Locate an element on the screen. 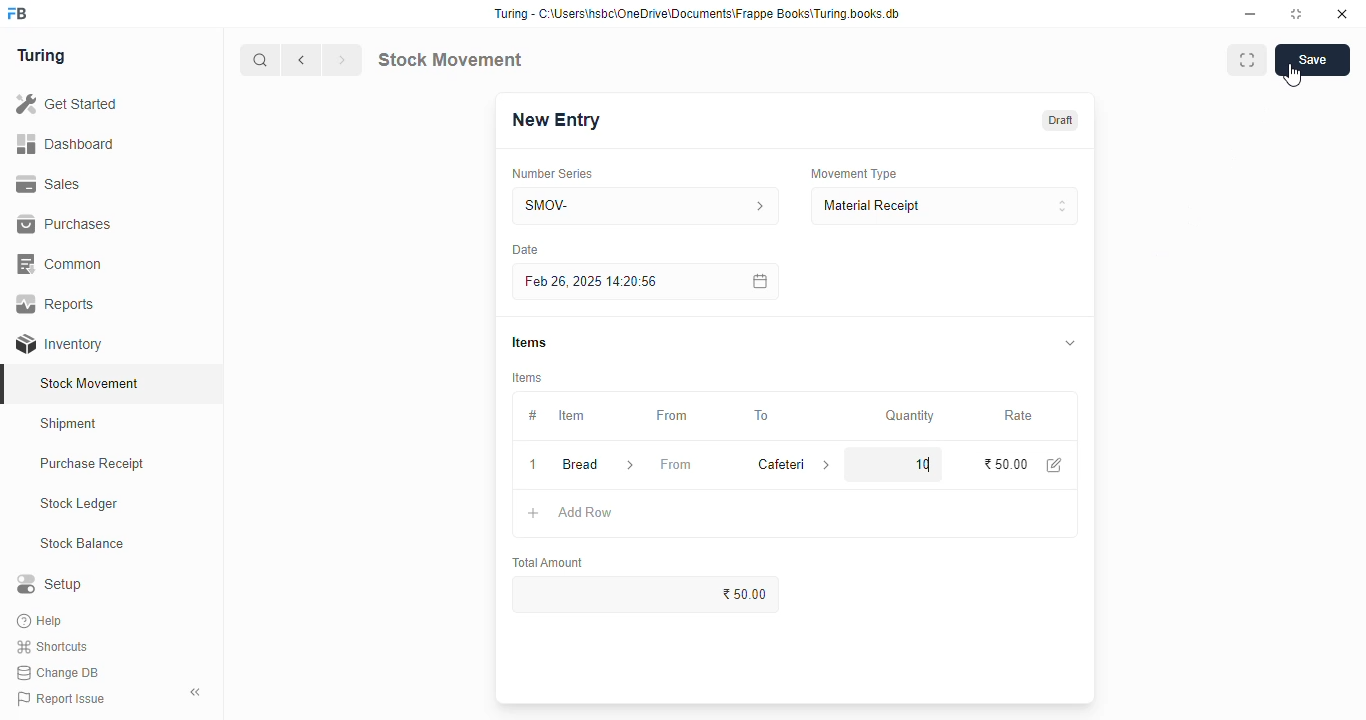 The image size is (1366, 720). from is located at coordinates (673, 416).